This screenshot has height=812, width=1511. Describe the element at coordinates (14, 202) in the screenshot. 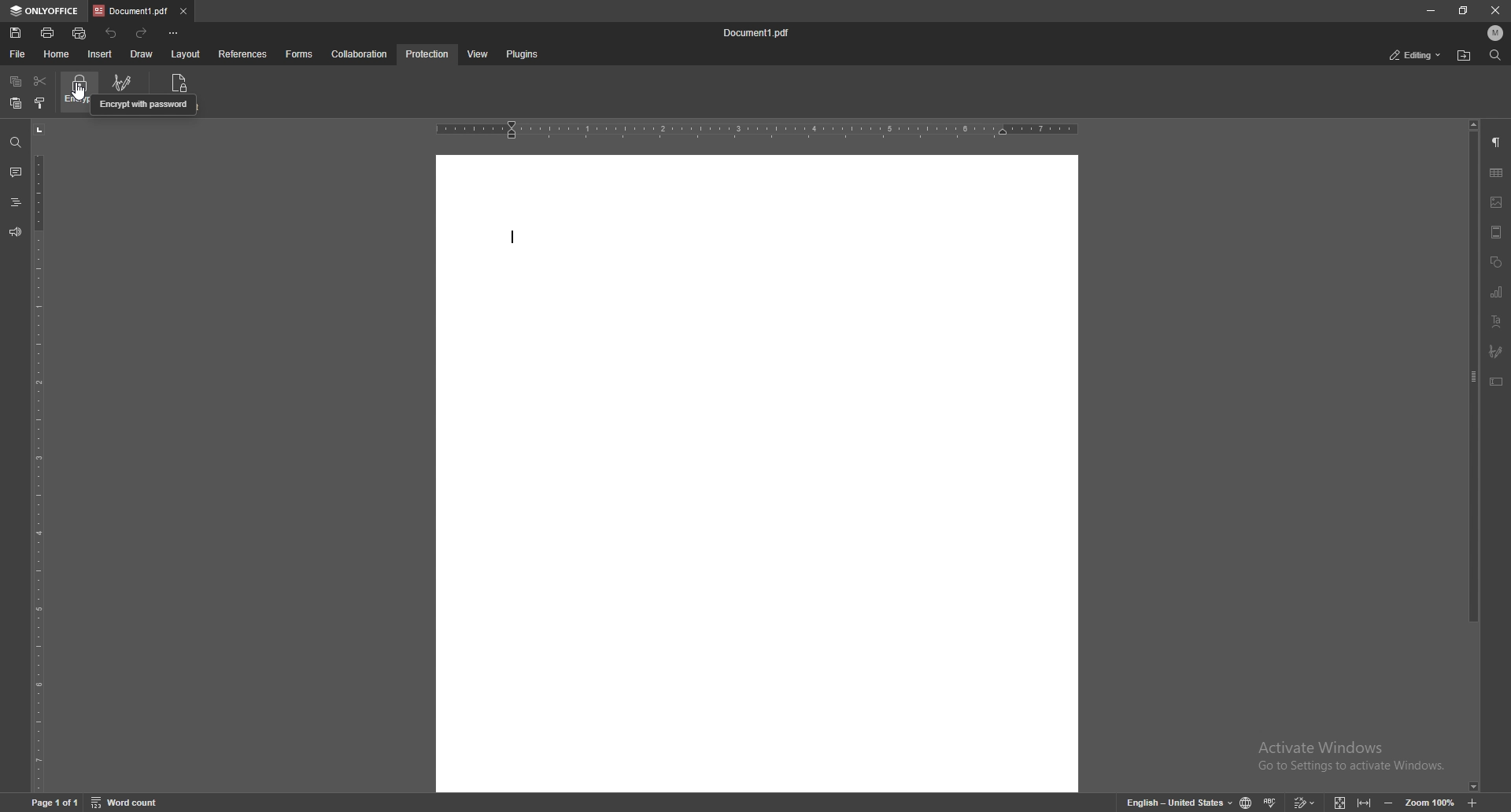

I see `headings` at that location.